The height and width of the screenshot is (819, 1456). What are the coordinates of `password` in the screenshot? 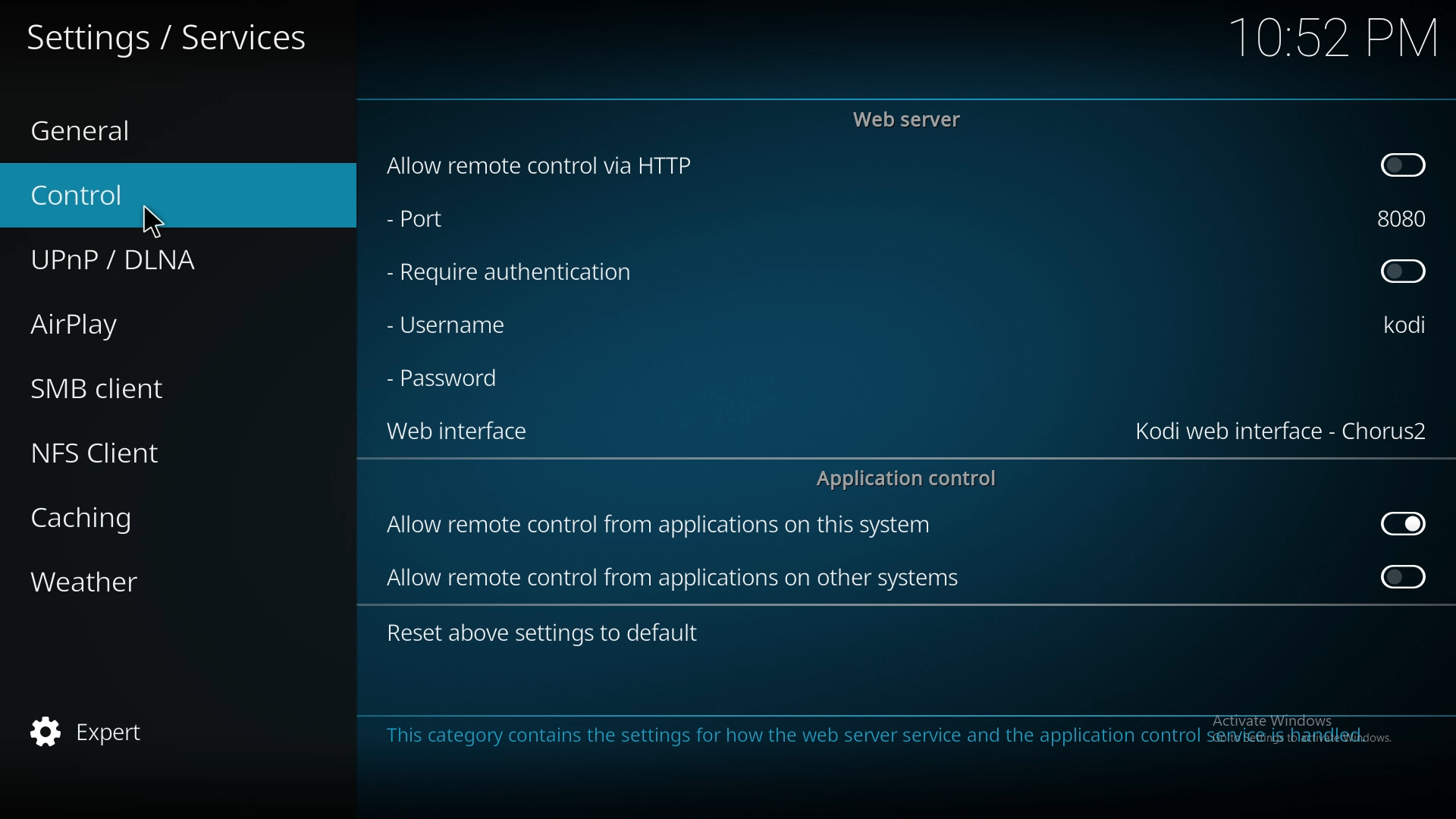 It's located at (449, 380).